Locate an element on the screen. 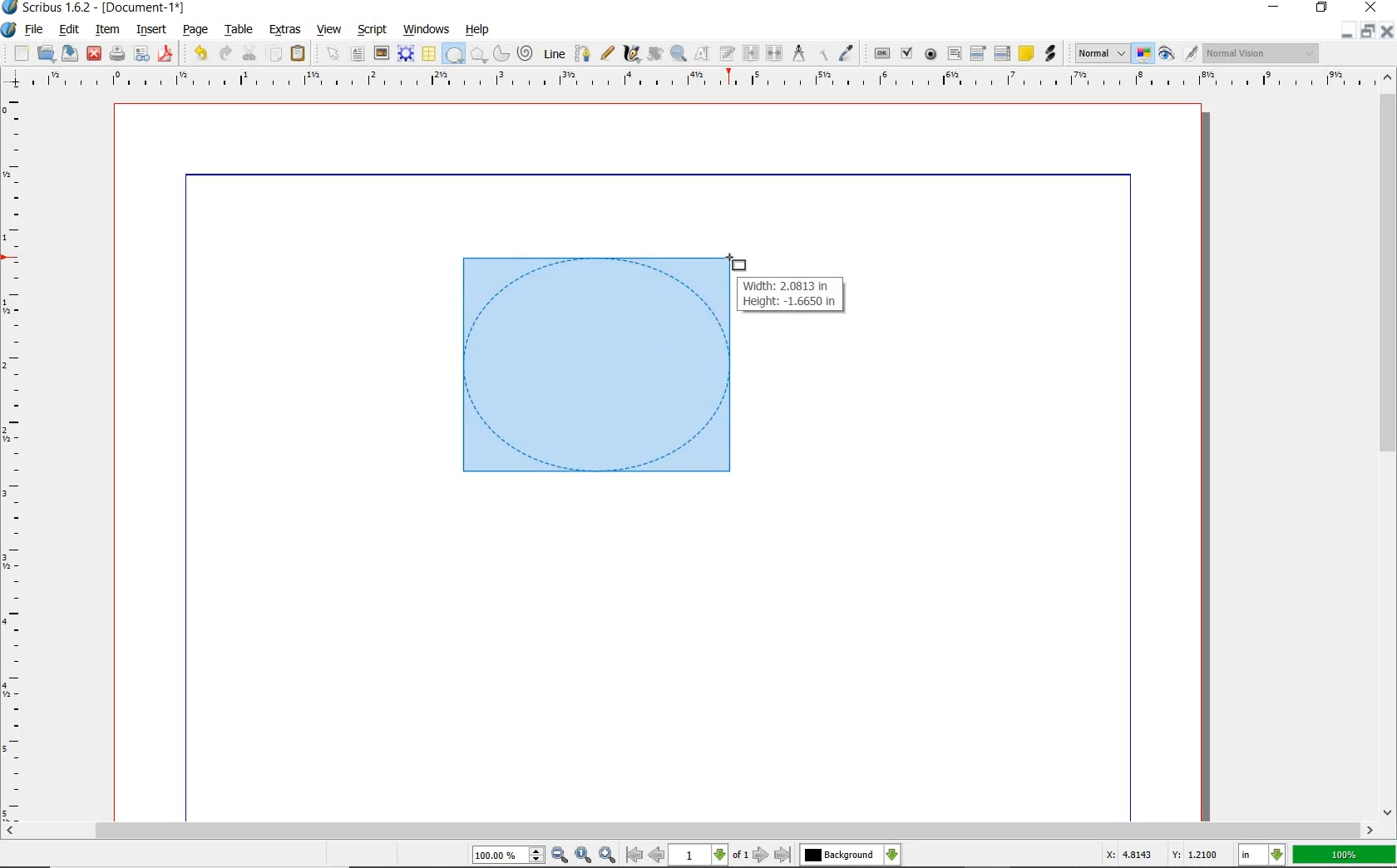 The width and height of the screenshot is (1397, 868). INSERT is located at coordinates (151, 30).